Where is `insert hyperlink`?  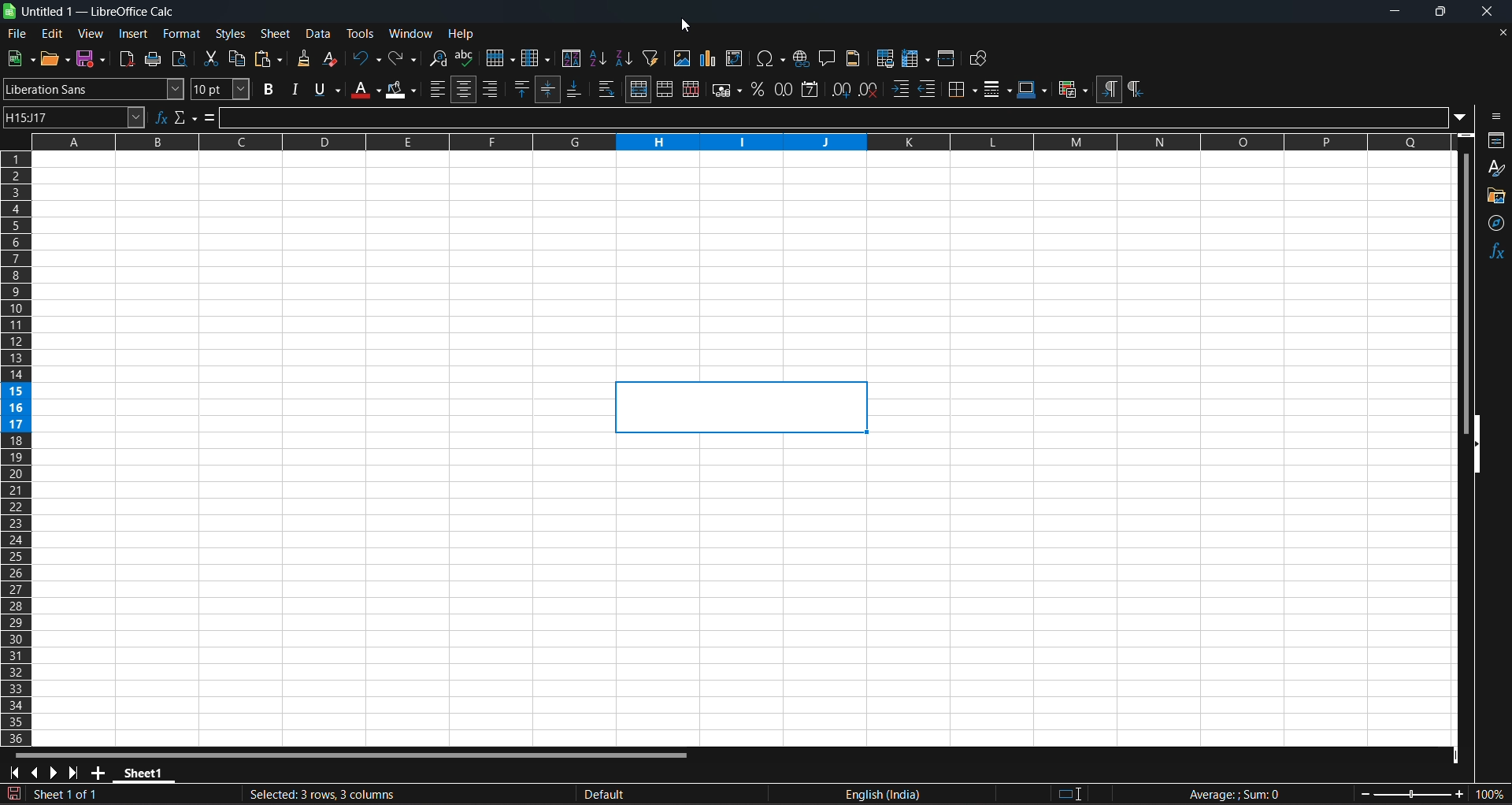 insert hyperlink is located at coordinates (802, 57).